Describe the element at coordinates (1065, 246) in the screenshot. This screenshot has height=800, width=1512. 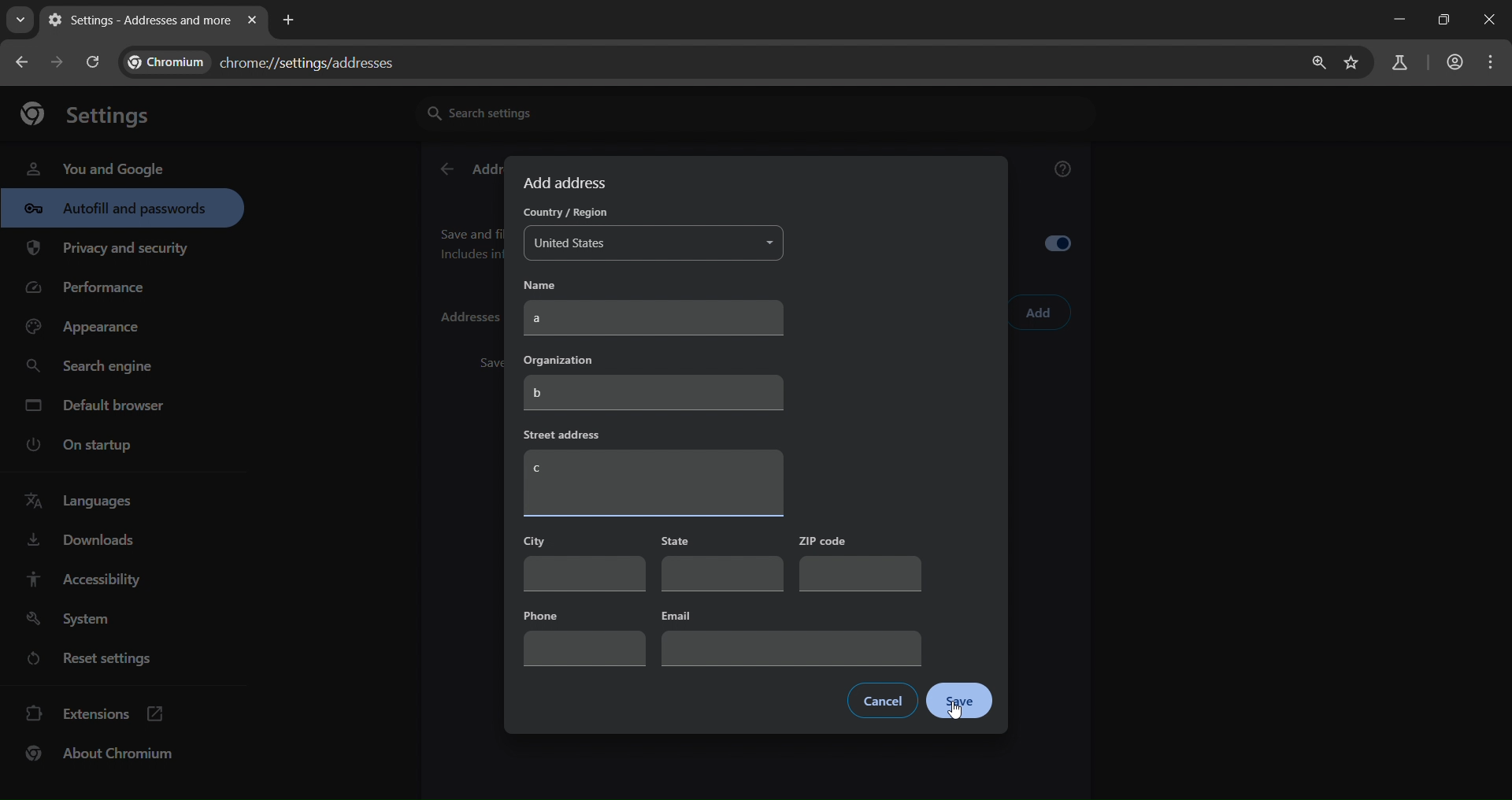
I see `toggle button` at that location.